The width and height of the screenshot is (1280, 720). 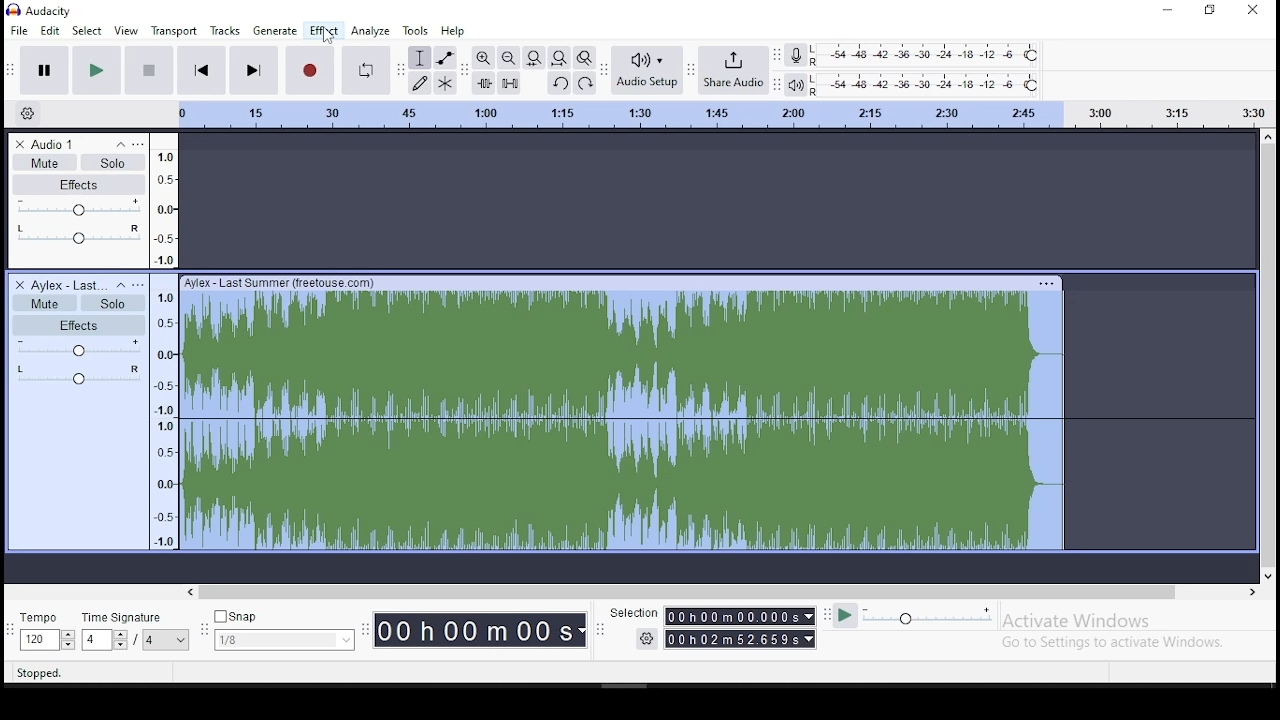 What do you see at coordinates (559, 57) in the screenshot?
I see `fit project to width` at bounding box center [559, 57].